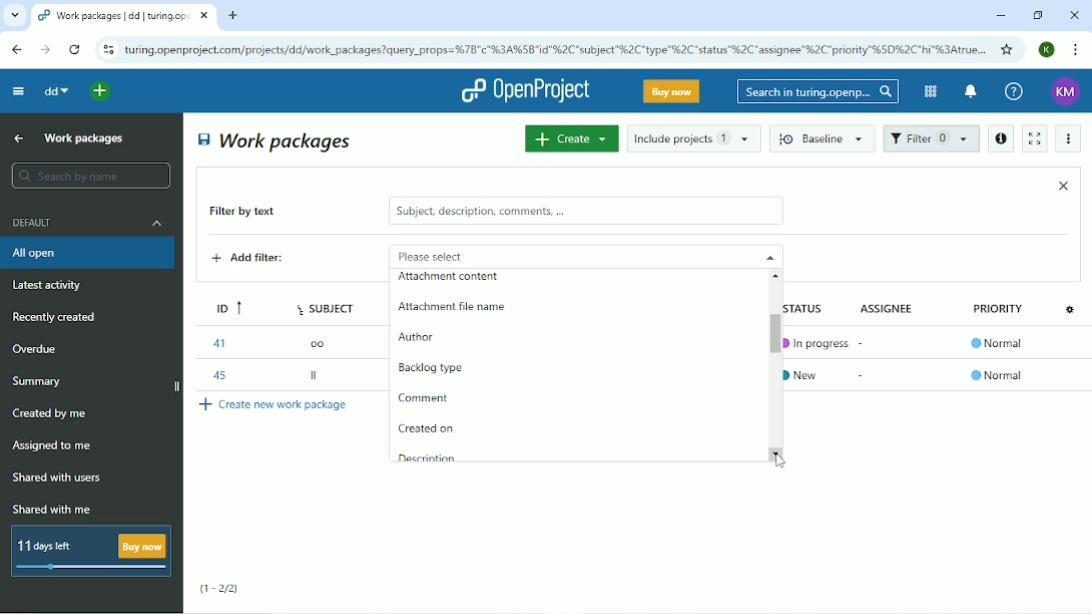  I want to click on Priority, so click(1000, 314).